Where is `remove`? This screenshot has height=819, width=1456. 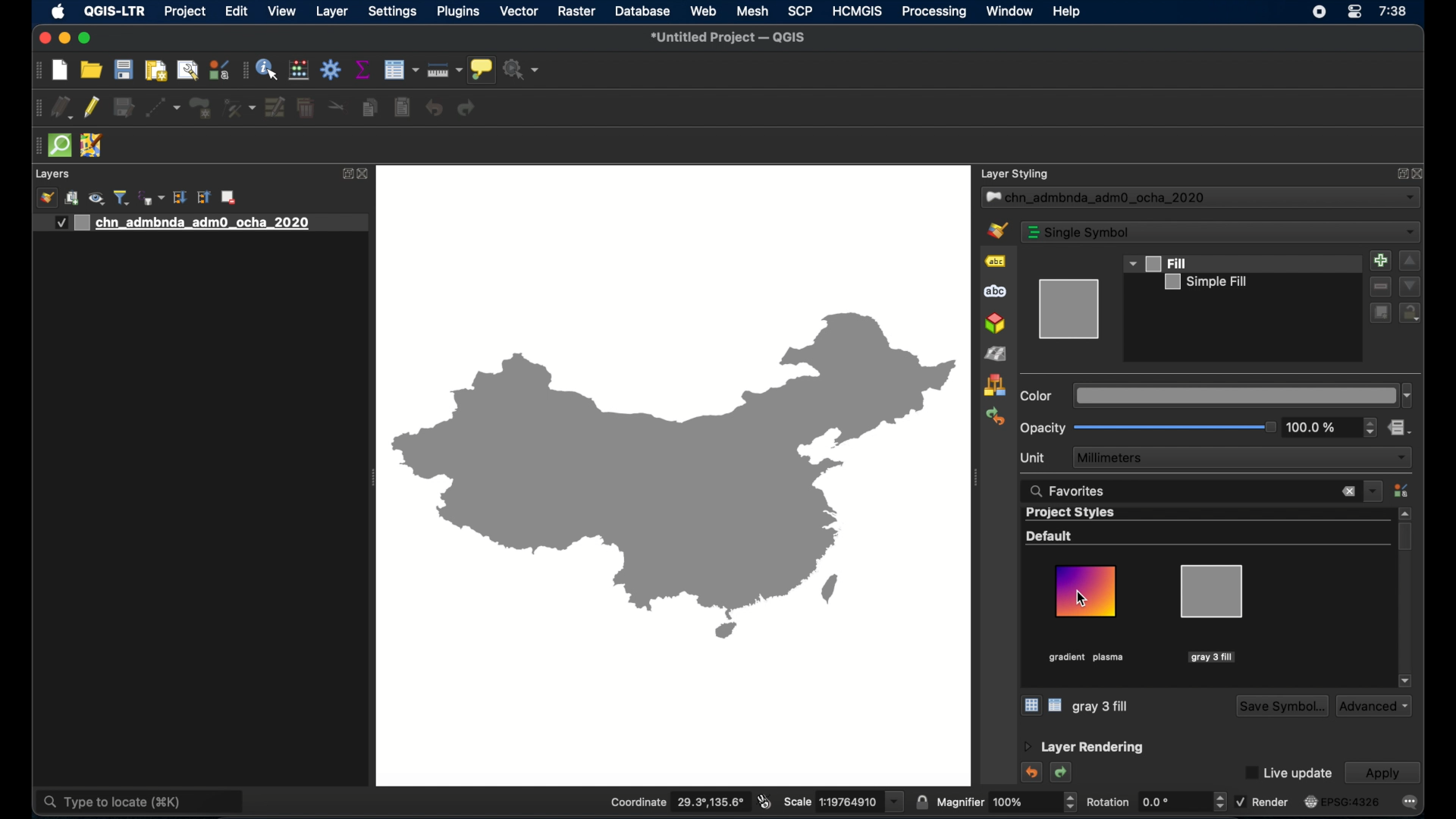
remove is located at coordinates (1379, 287).